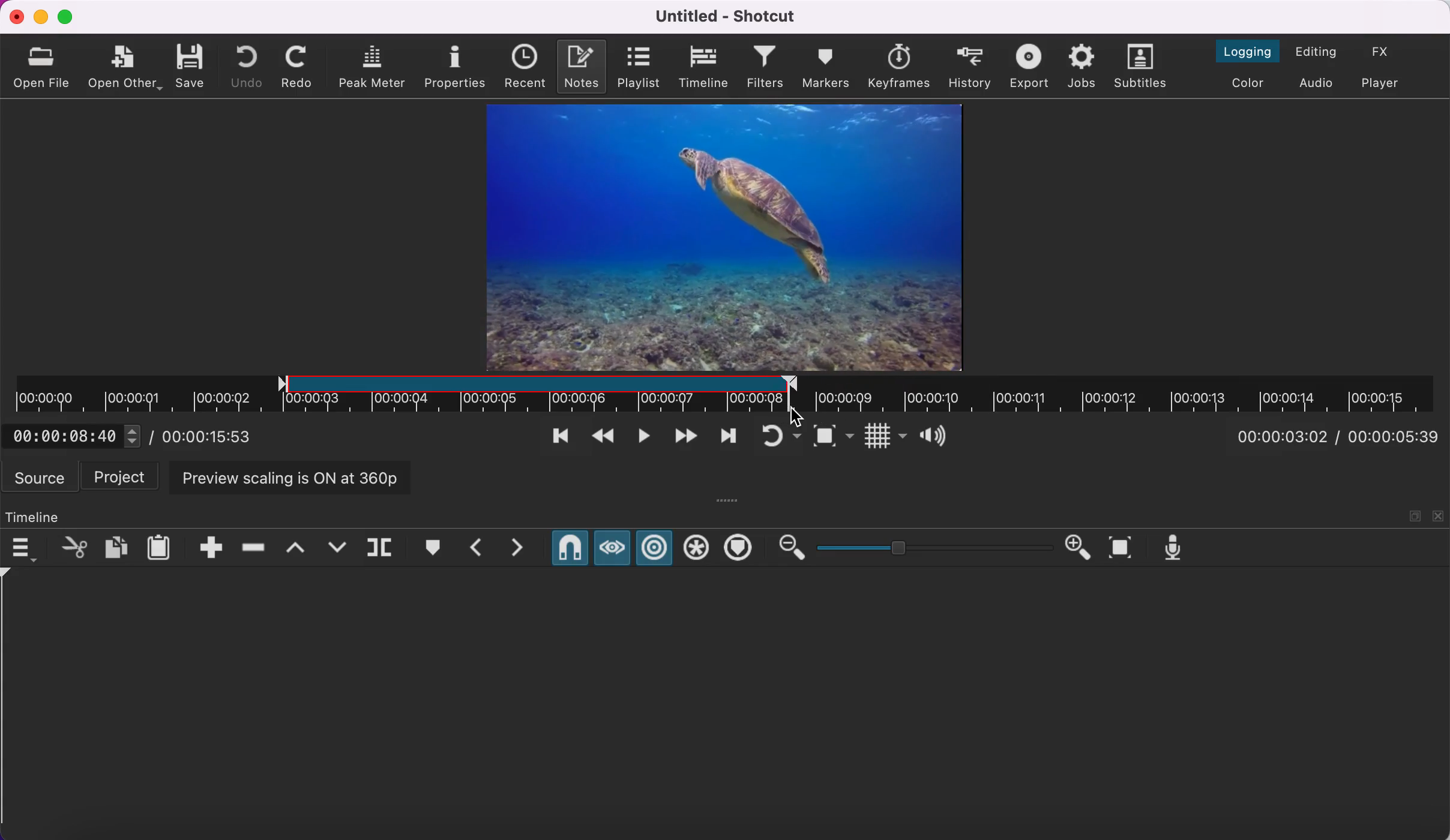 The image size is (1450, 840). I want to click on zoom timeline to fit, so click(1125, 548).